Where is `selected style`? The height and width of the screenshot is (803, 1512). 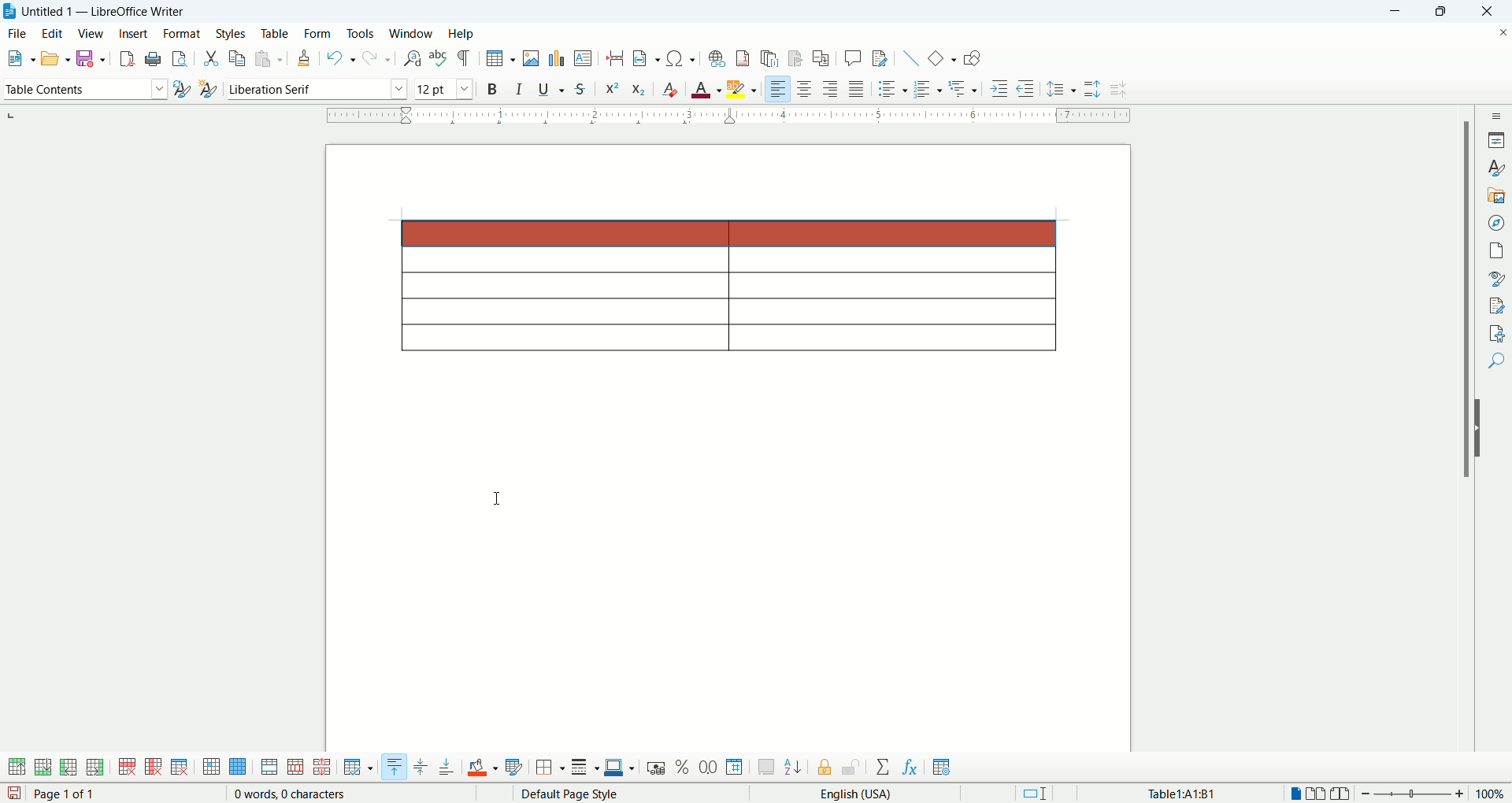
selected style is located at coordinates (182, 91).